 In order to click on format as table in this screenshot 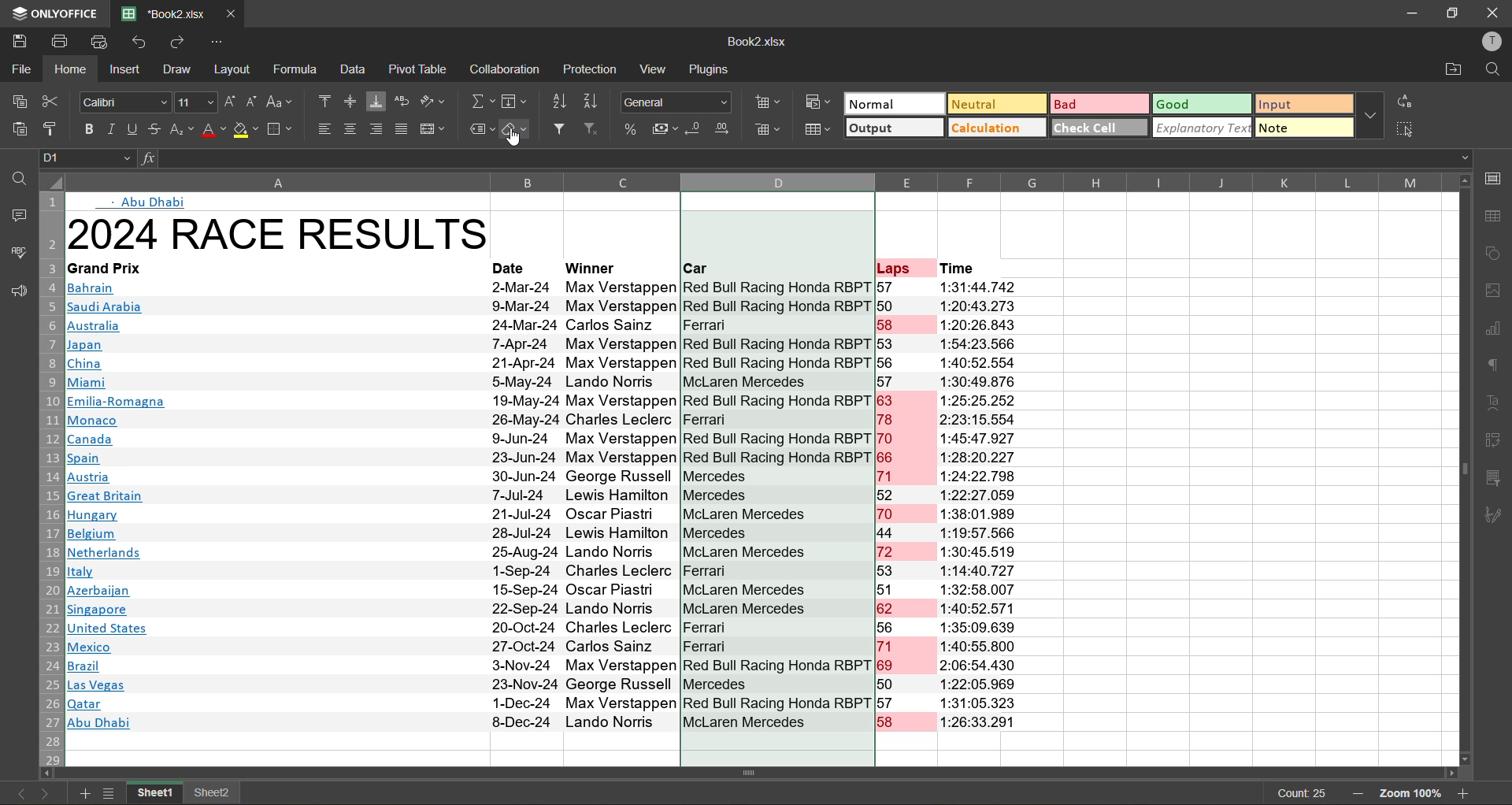, I will do `click(821, 128)`.